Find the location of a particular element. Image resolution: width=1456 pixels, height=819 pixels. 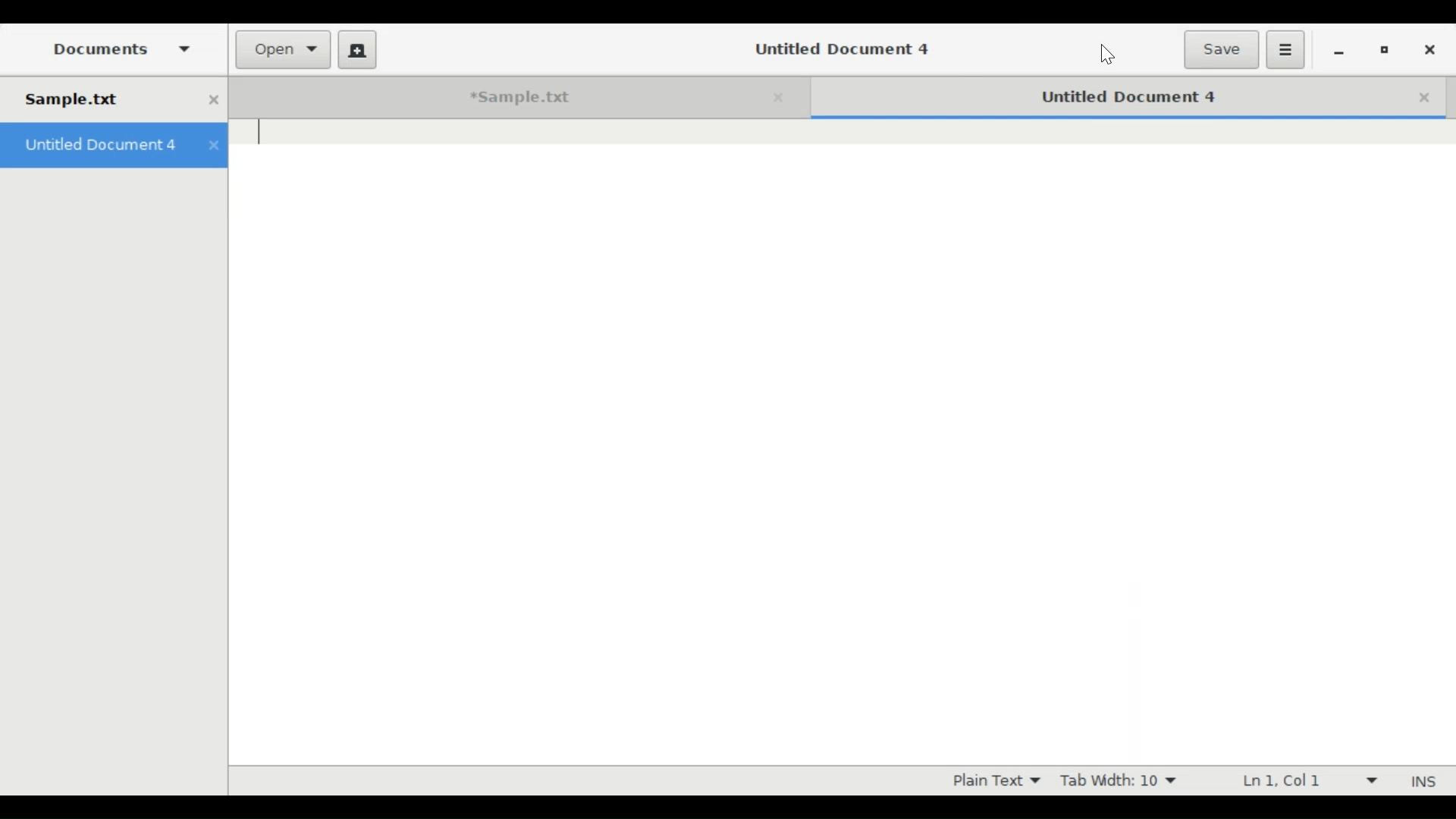

Create a new document is located at coordinates (356, 49).